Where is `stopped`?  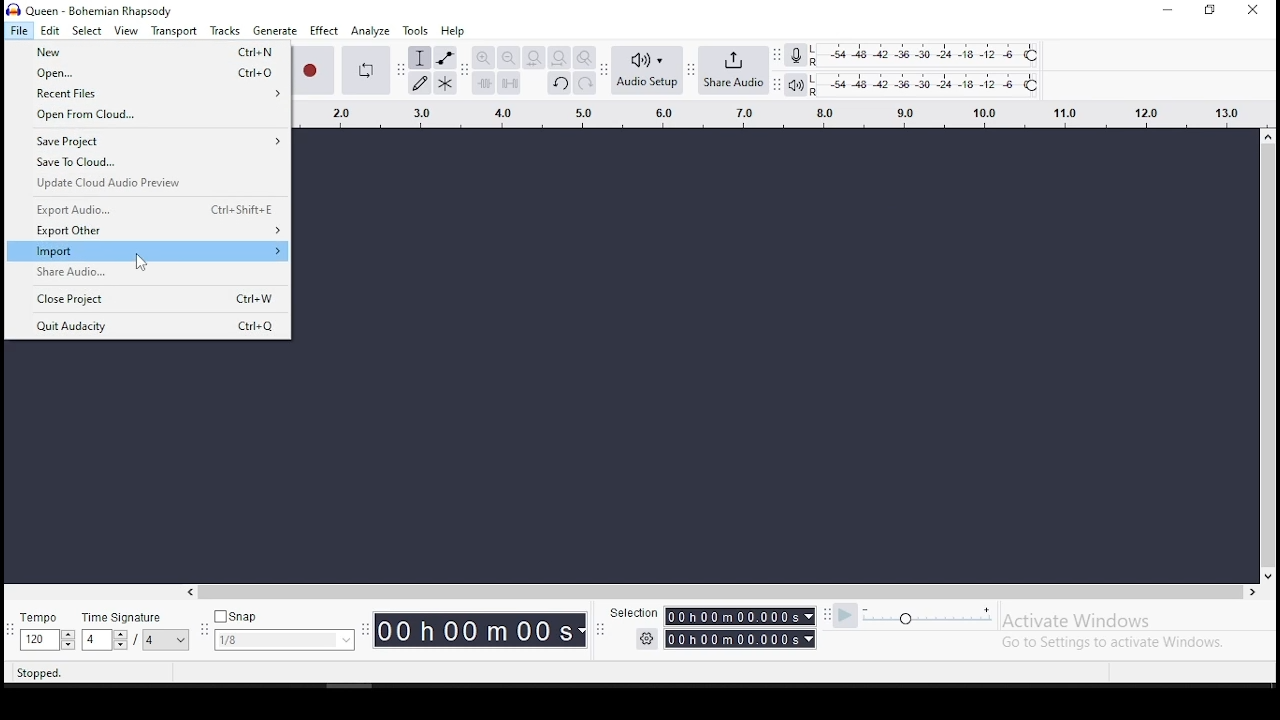
stopped is located at coordinates (39, 674).